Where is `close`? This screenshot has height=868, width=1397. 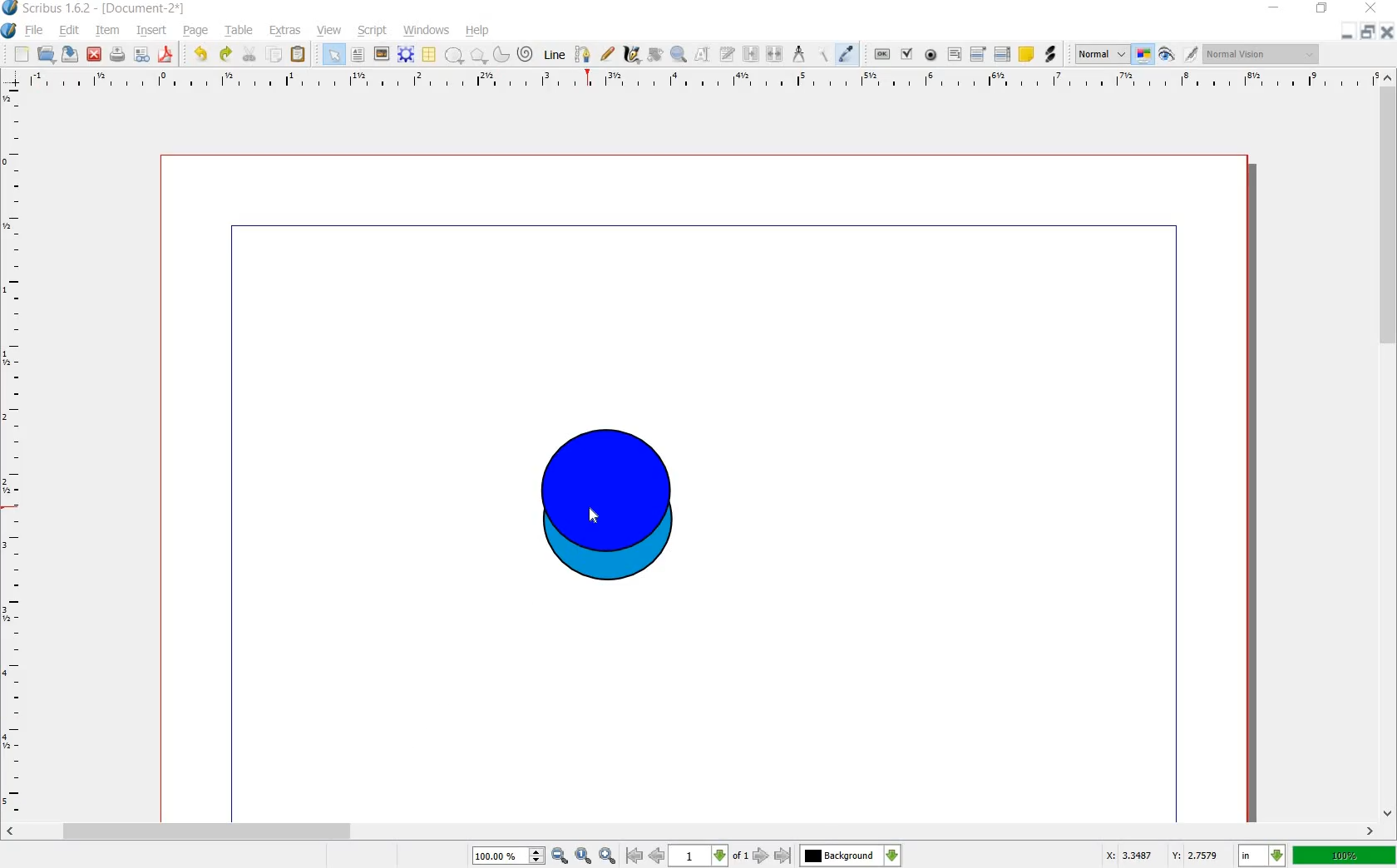 close is located at coordinates (1387, 32).